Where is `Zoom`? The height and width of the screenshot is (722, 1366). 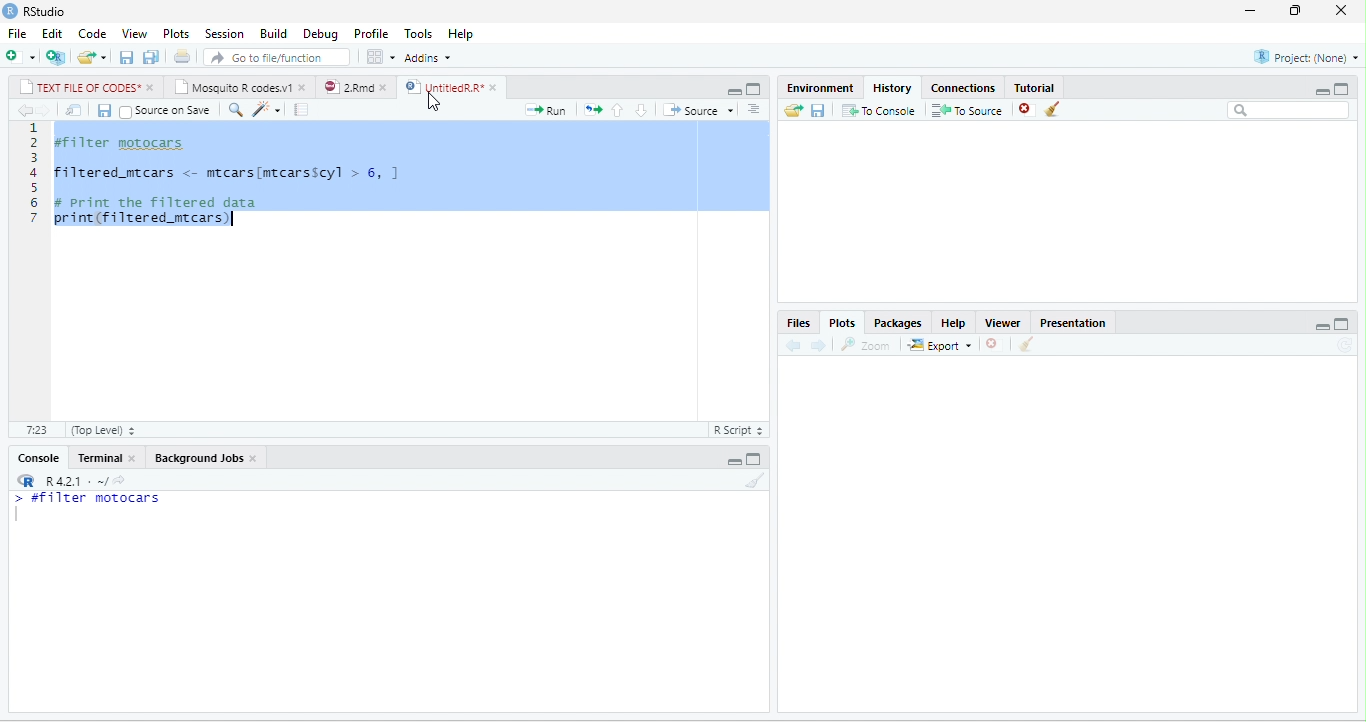
Zoom is located at coordinates (864, 345).